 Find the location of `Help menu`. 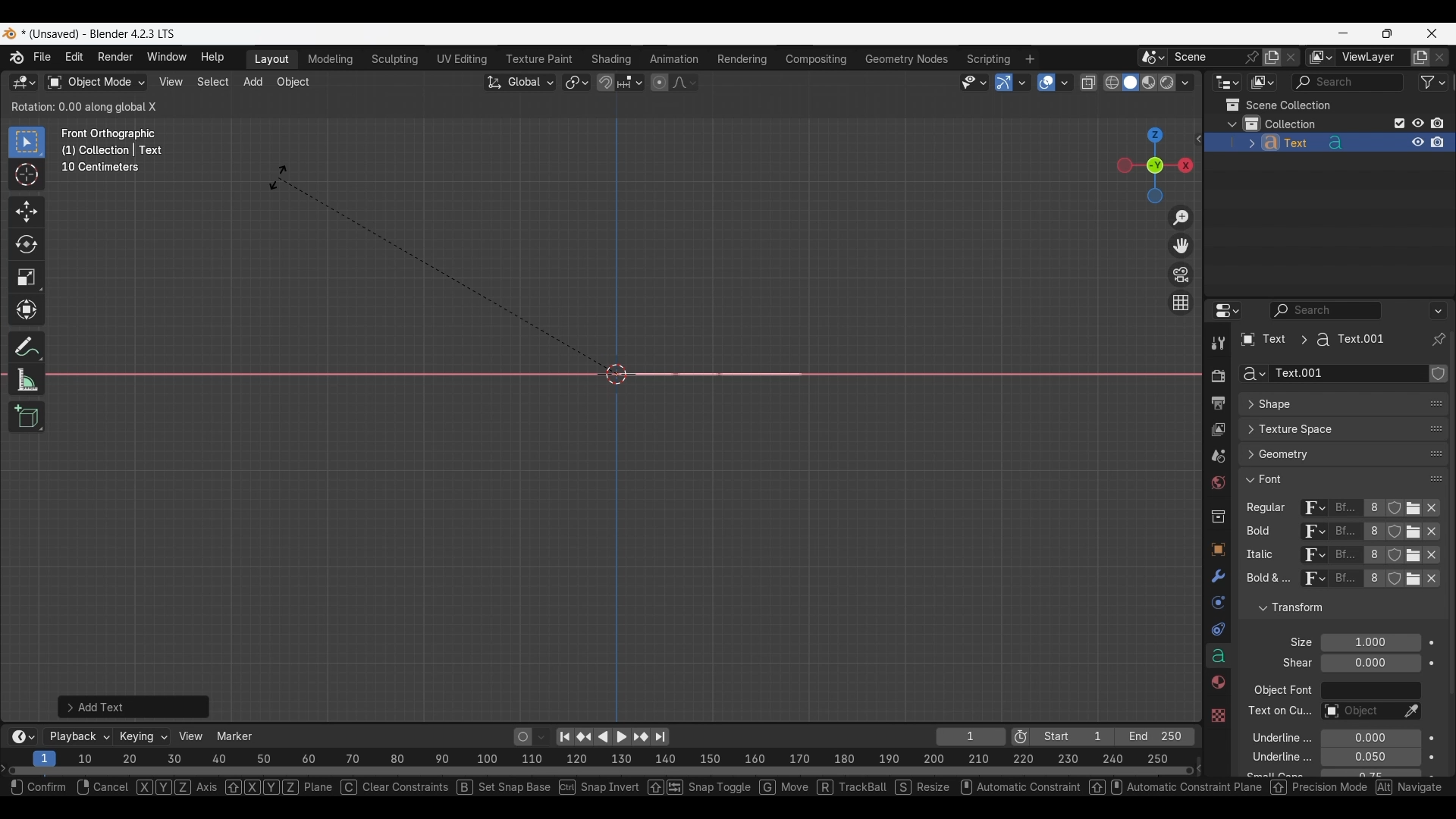

Help menu is located at coordinates (211, 58).